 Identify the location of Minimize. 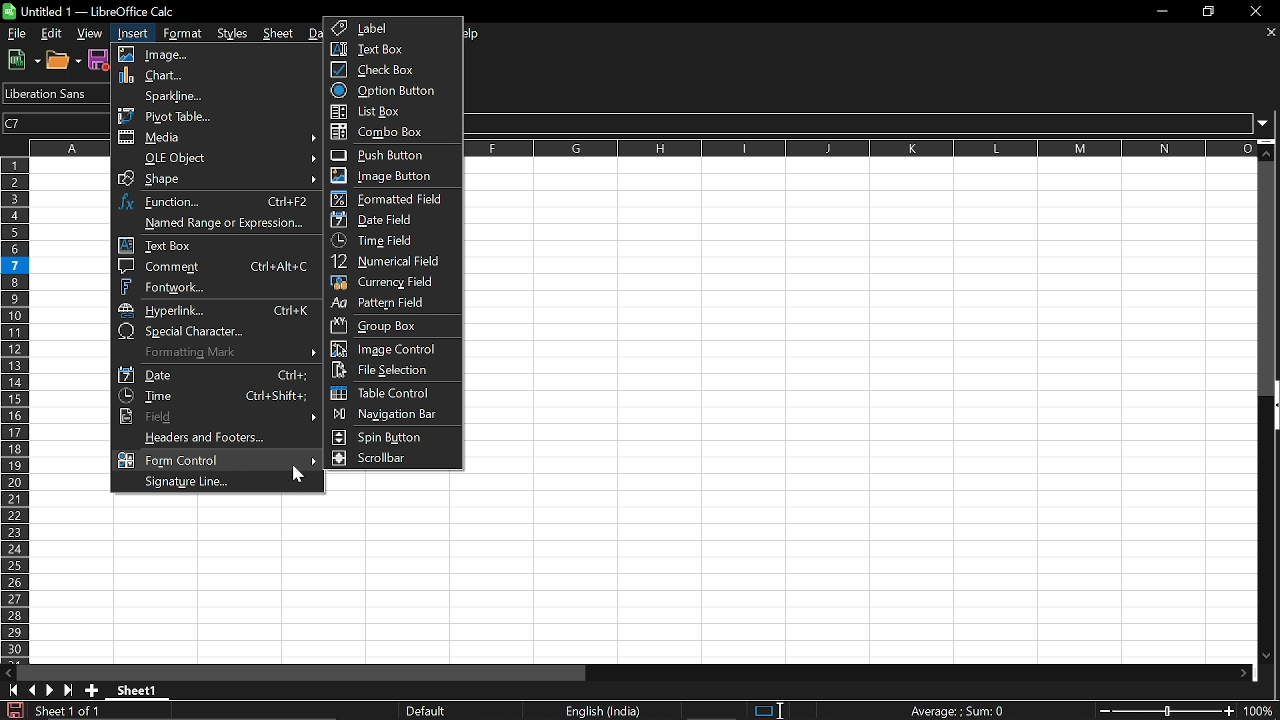
(1158, 11).